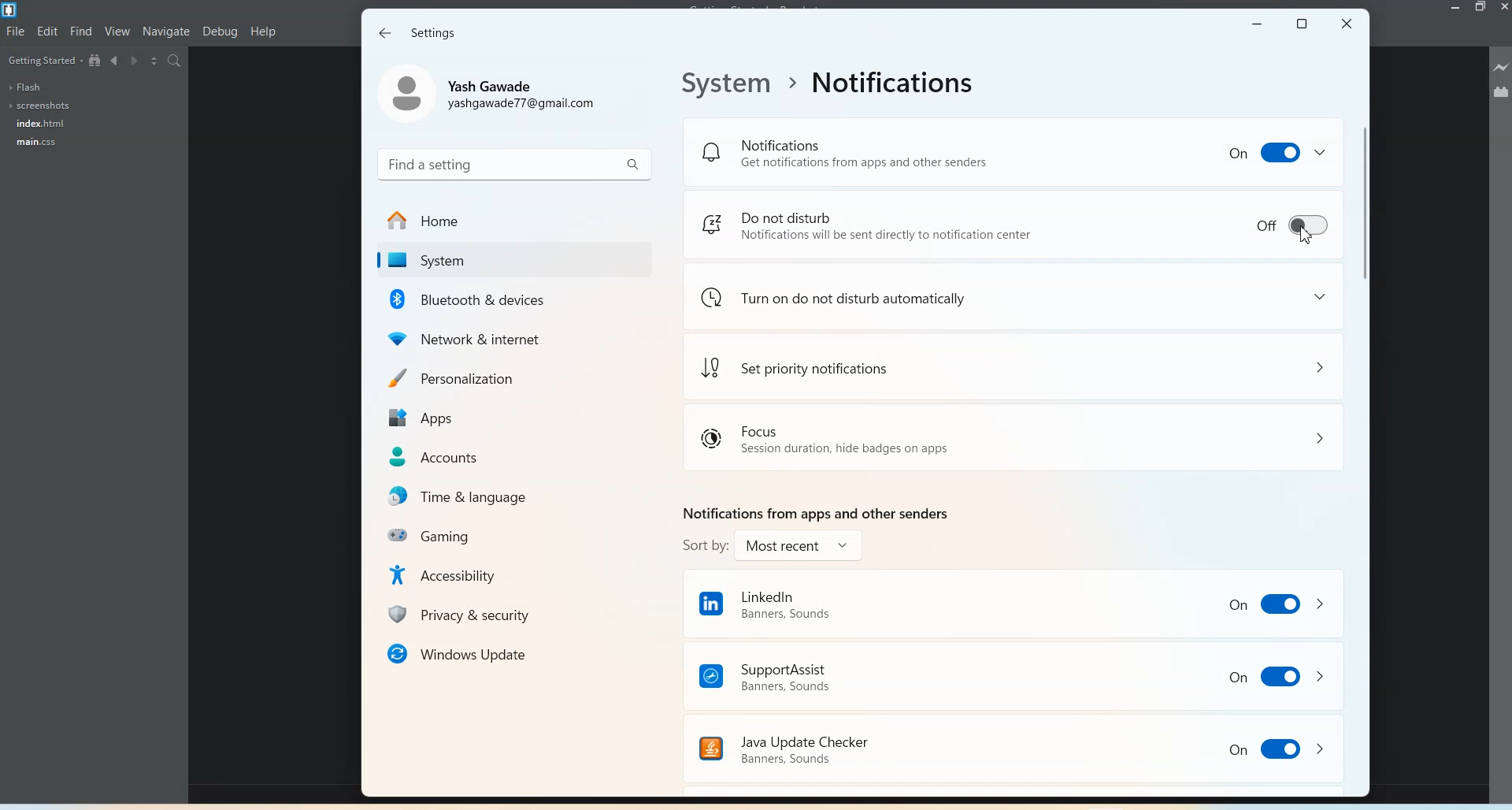 The width and height of the screenshot is (1512, 810). I want to click on Accounts, so click(509, 456).